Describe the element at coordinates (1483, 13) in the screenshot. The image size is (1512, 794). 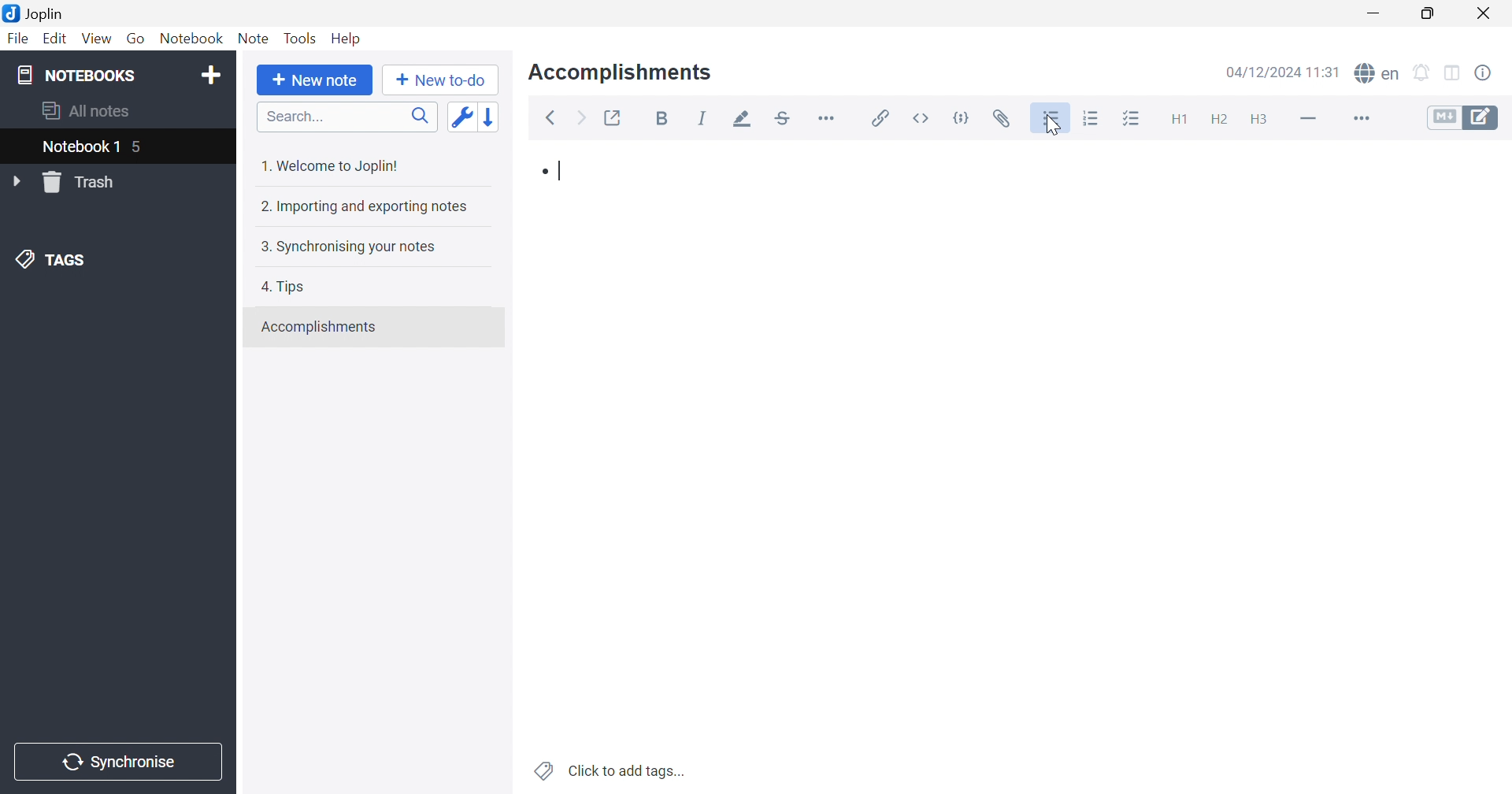
I see `Close` at that location.